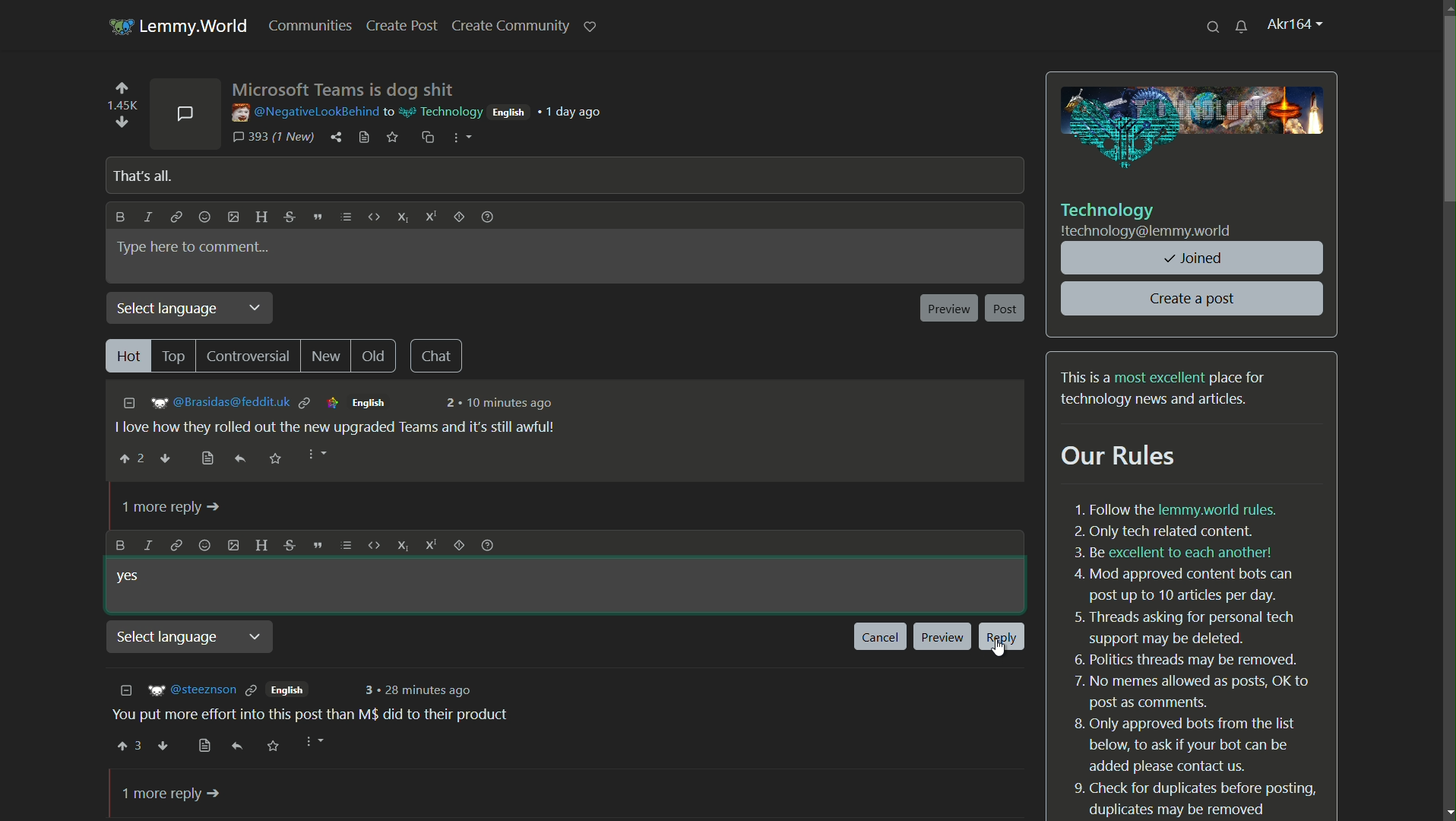  What do you see at coordinates (372, 218) in the screenshot?
I see `code` at bounding box center [372, 218].